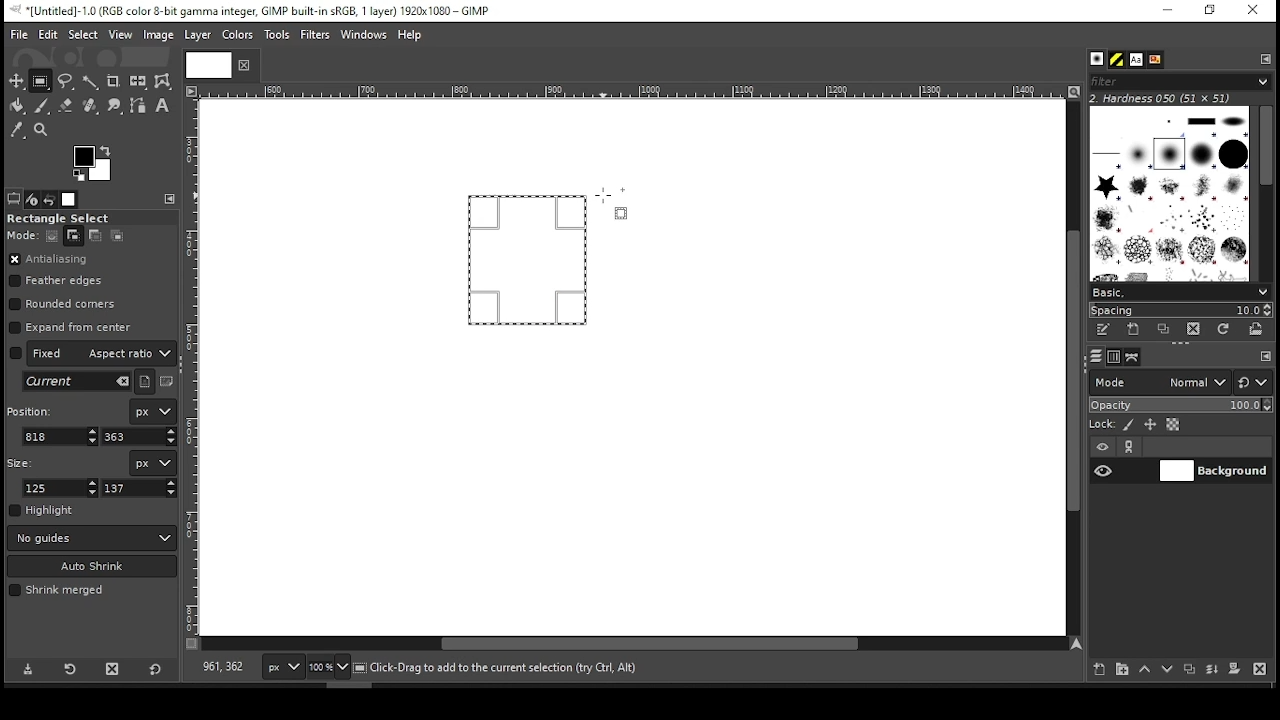  Describe the element at coordinates (53, 236) in the screenshot. I see `replace current selection` at that location.